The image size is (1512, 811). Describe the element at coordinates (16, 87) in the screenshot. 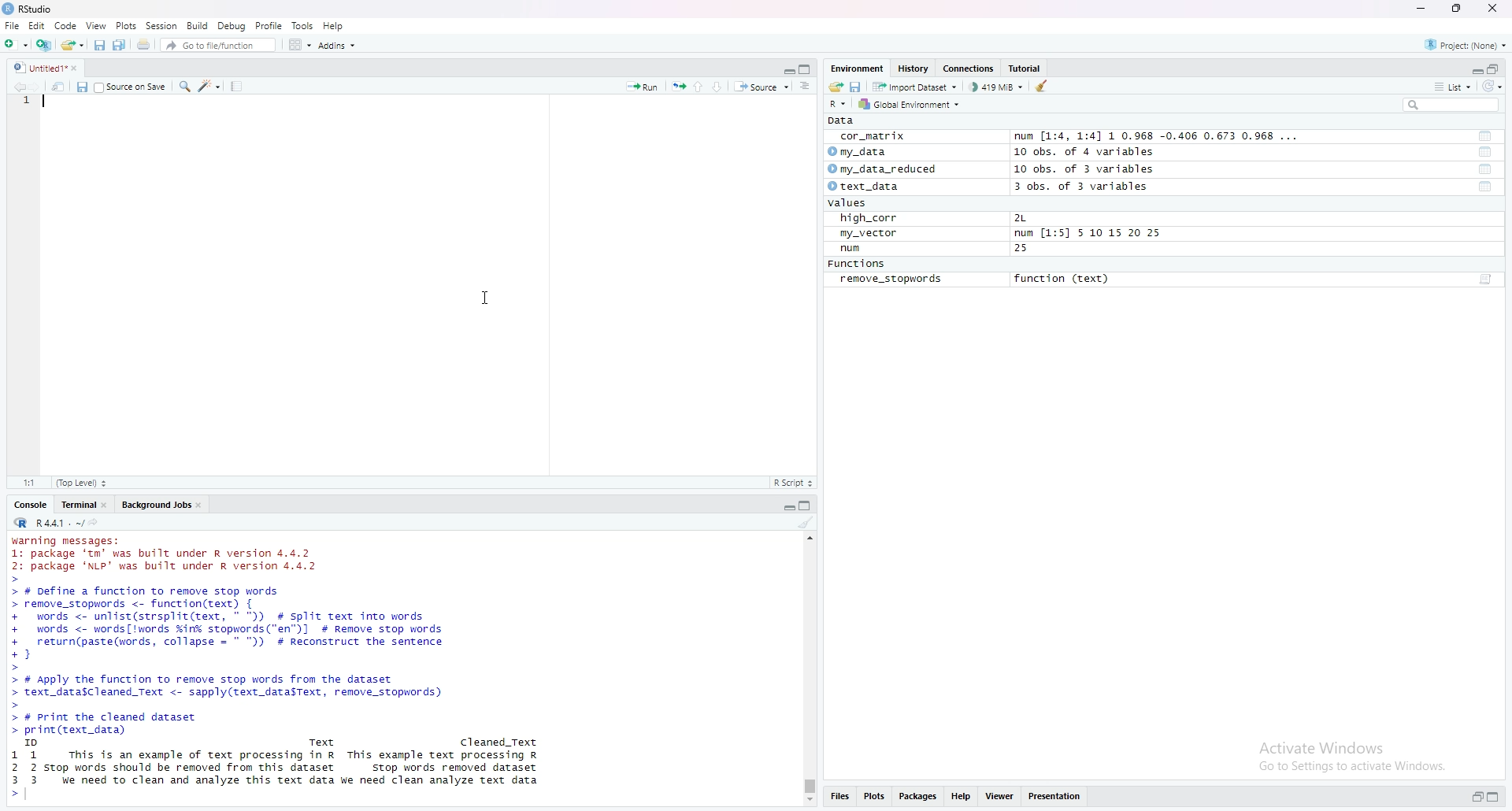

I see `Previous` at that location.